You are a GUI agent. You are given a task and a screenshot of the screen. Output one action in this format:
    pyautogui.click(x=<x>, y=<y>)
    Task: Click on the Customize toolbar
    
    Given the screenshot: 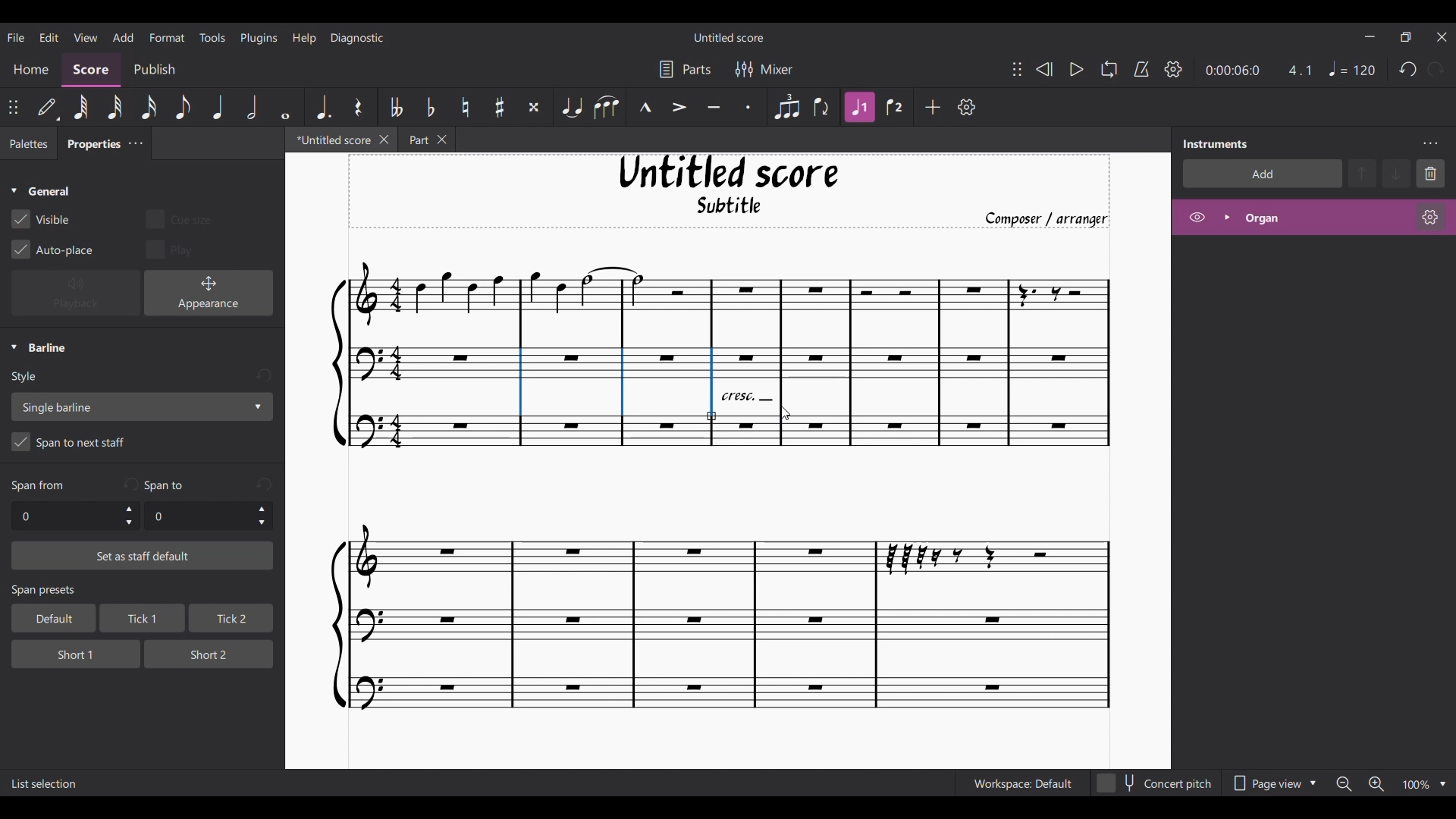 What is the action you would take?
    pyautogui.click(x=967, y=107)
    